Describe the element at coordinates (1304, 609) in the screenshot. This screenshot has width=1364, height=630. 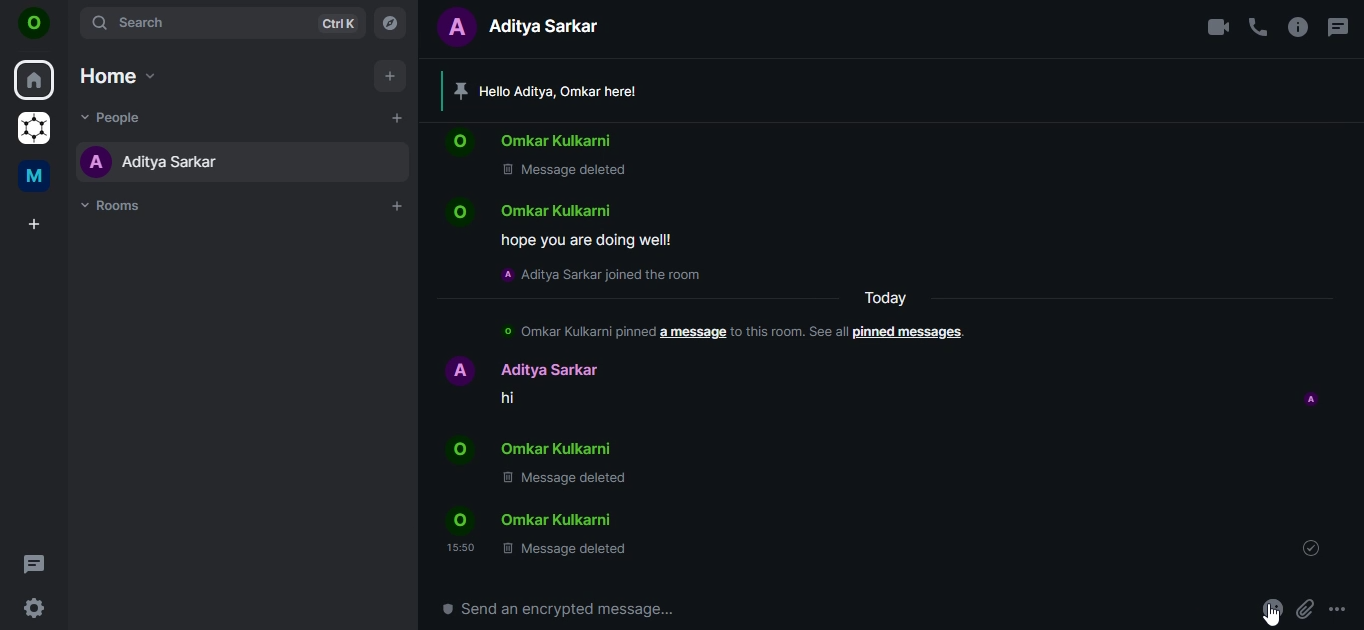
I see `attachments` at that location.